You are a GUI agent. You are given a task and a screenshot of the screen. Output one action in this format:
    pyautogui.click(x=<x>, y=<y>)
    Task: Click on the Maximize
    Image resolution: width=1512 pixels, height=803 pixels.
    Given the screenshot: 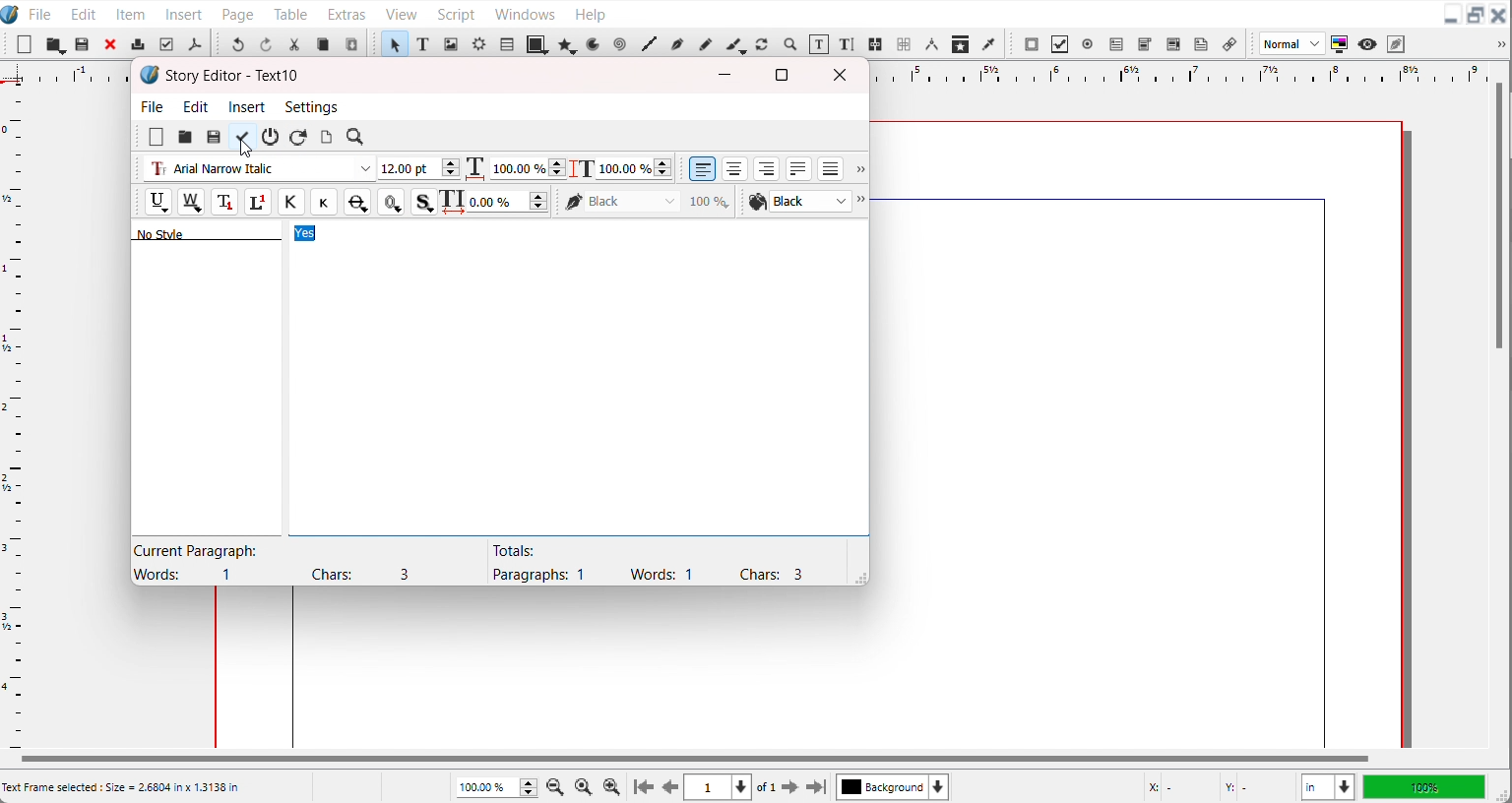 What is the action you would take?
    pyautogui.click(x=782, y=74)
    